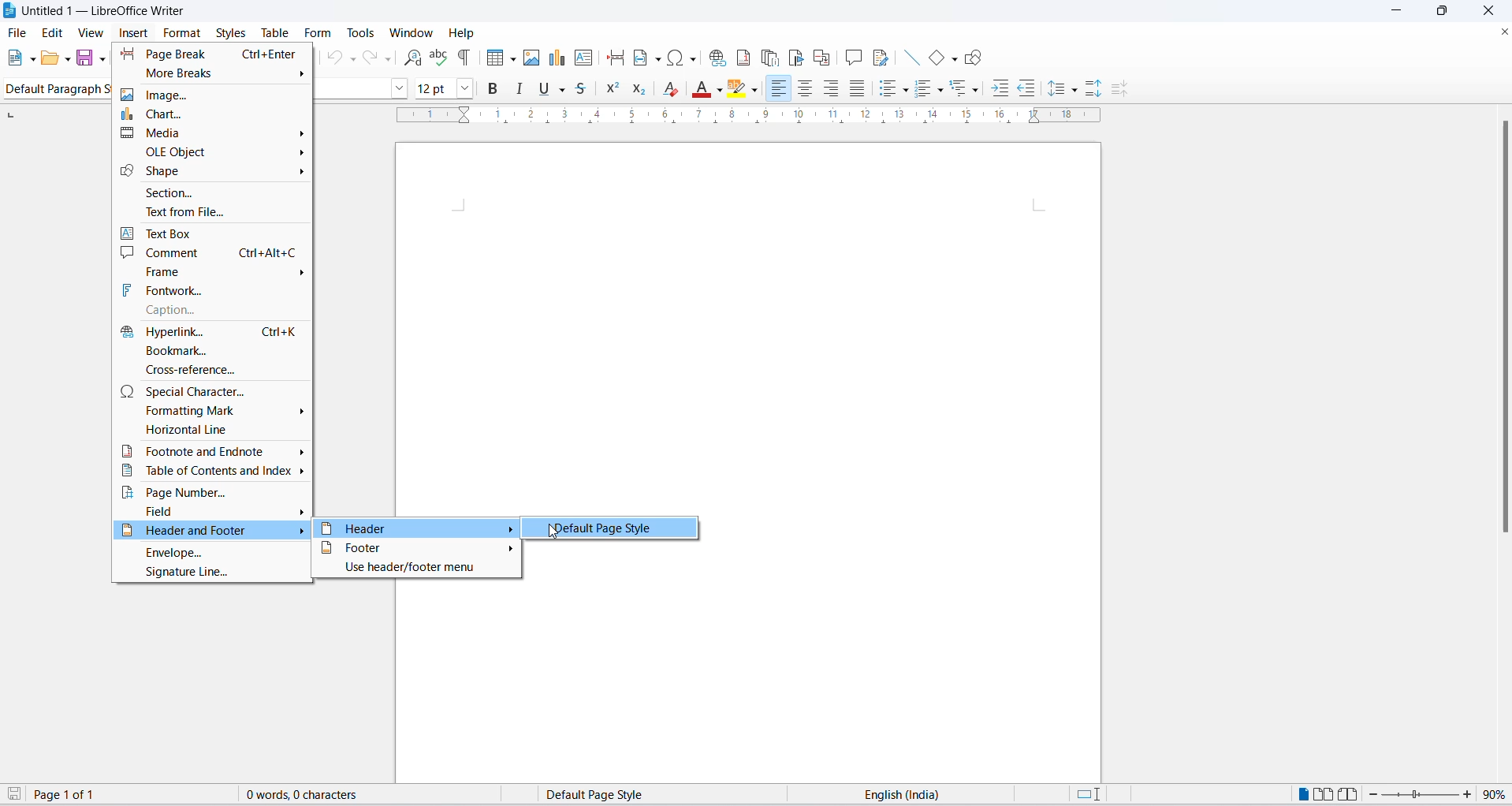  What do you see at coordinates (212, 54) in the screenshot?
I see `page break` at bounding box center [212, 54].